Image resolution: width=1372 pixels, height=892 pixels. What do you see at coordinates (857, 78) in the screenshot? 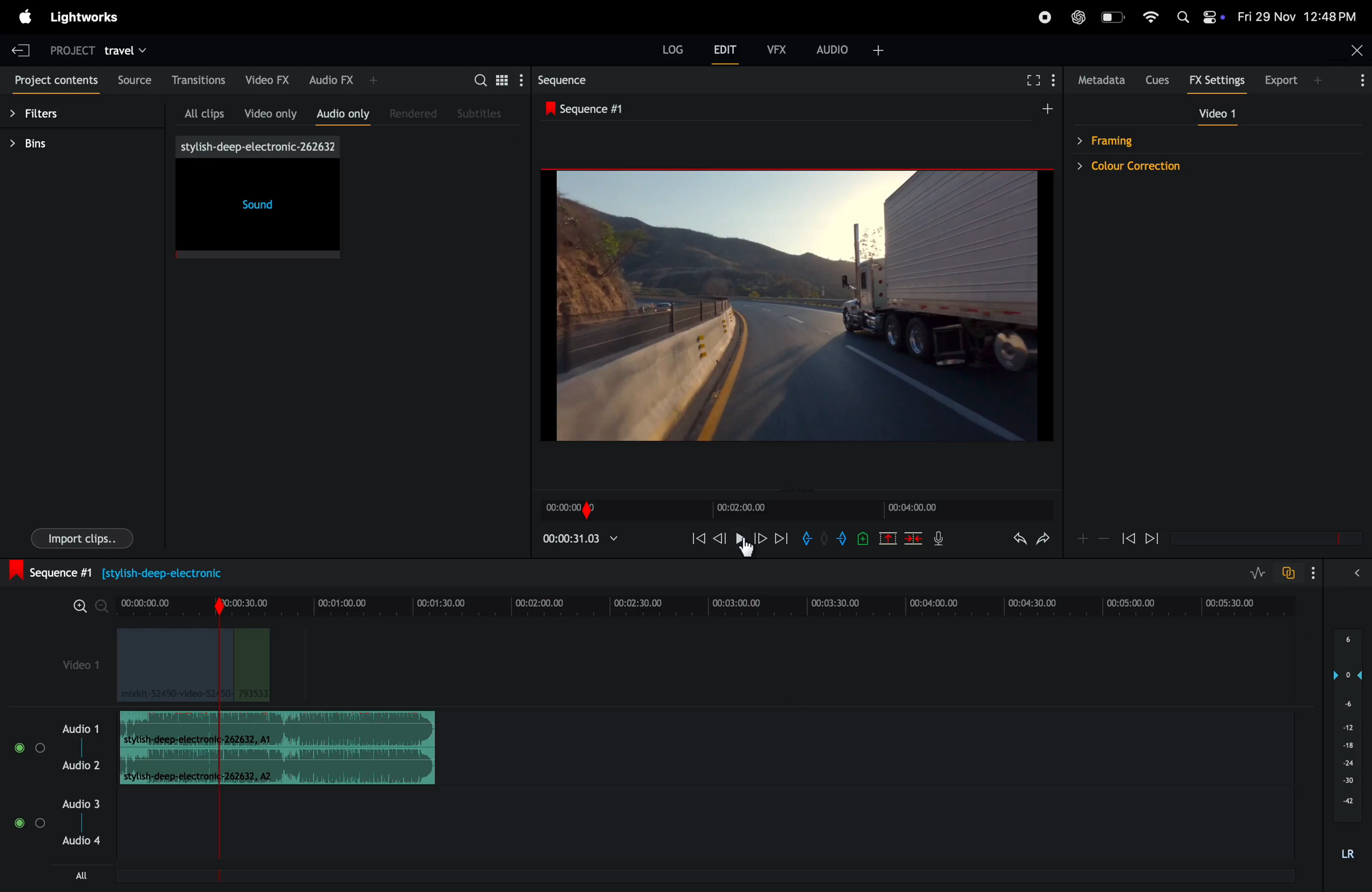
I see `show menu` at bounding box center [857, 78].